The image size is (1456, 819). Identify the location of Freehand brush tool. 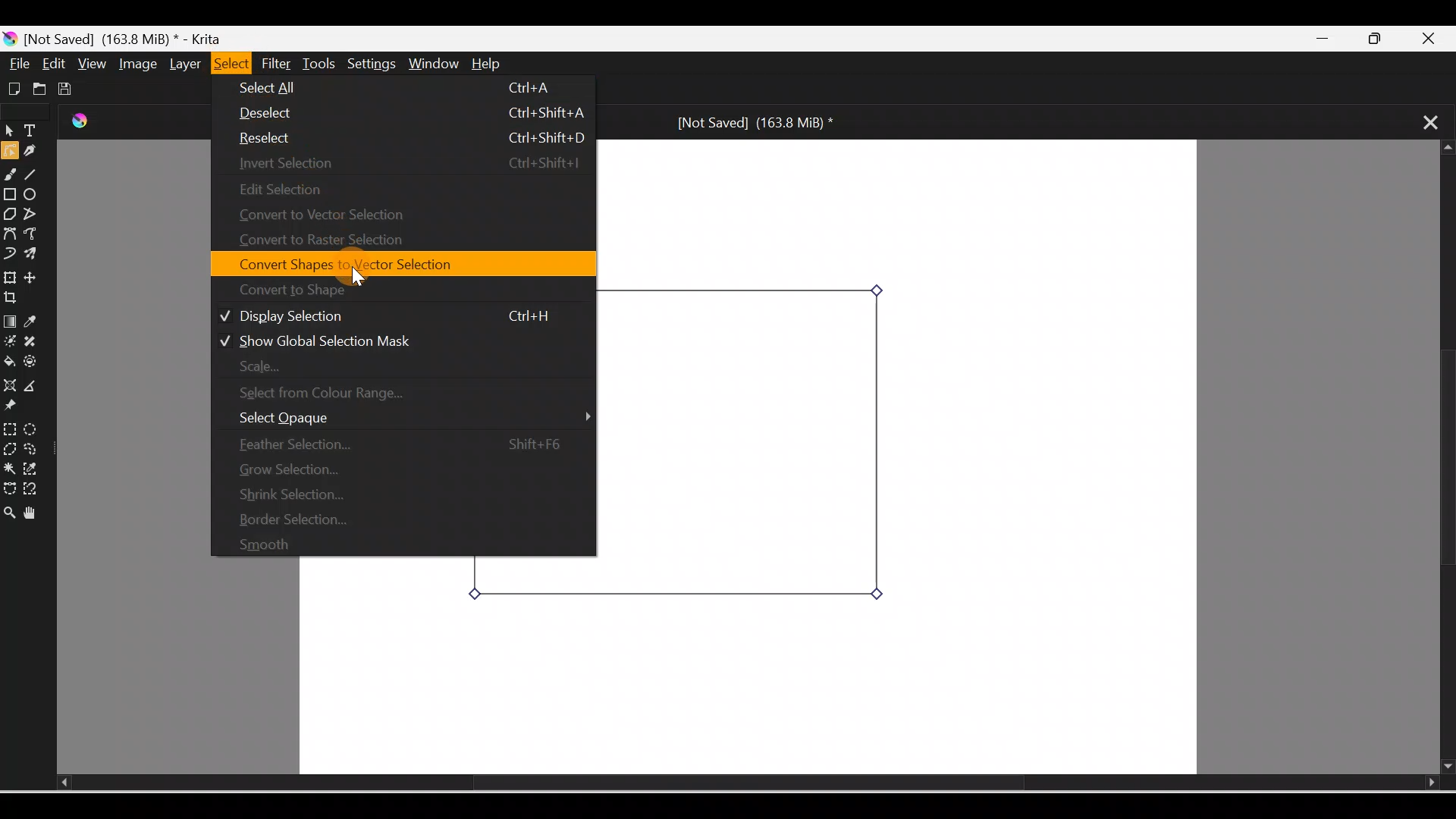
(12, 177).